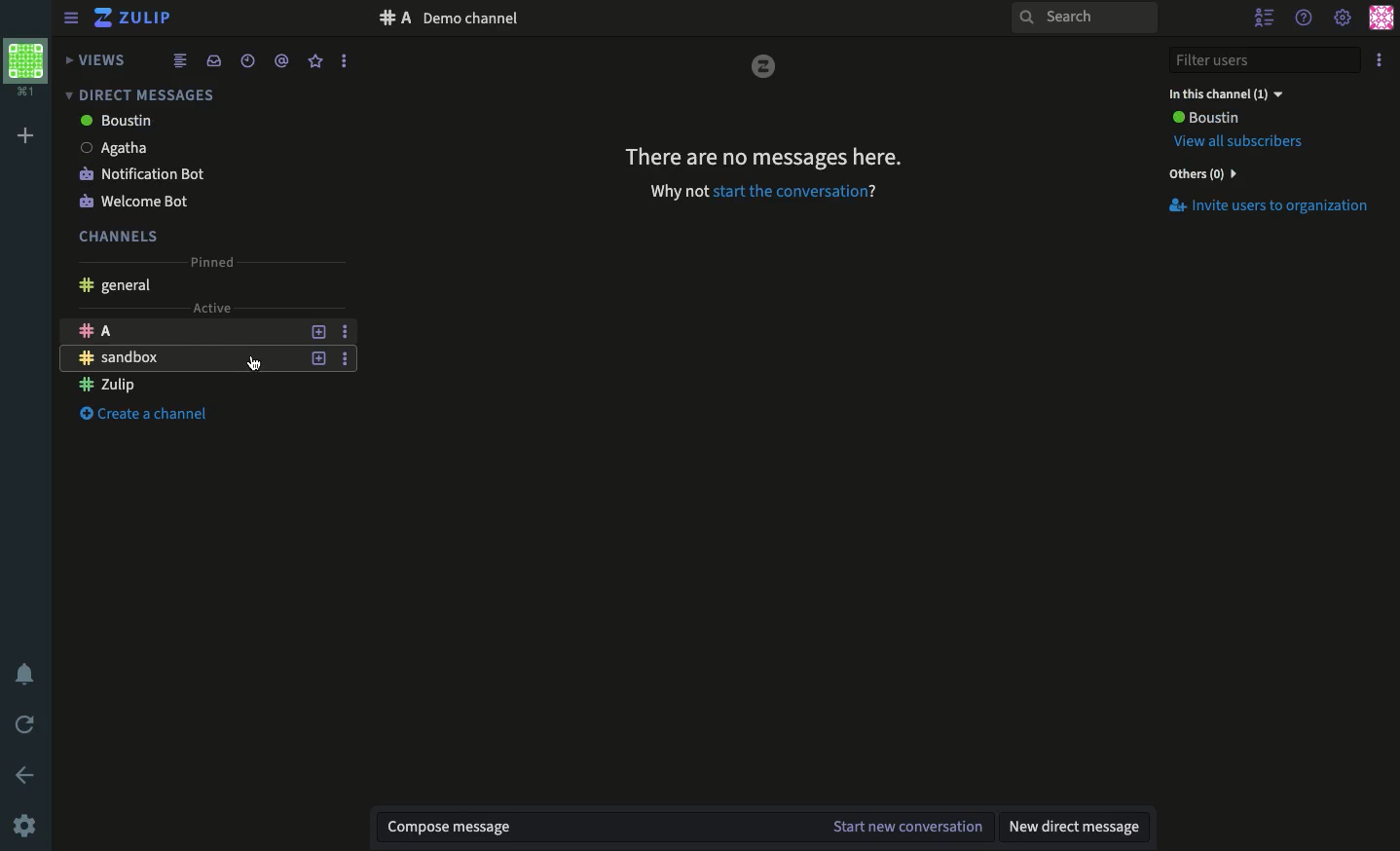 Image resolution: width=1400 pixels, height=851 pixels. Describe the element at coordinates (213, 60) in the screenshot. I see `Inbox` at that location.